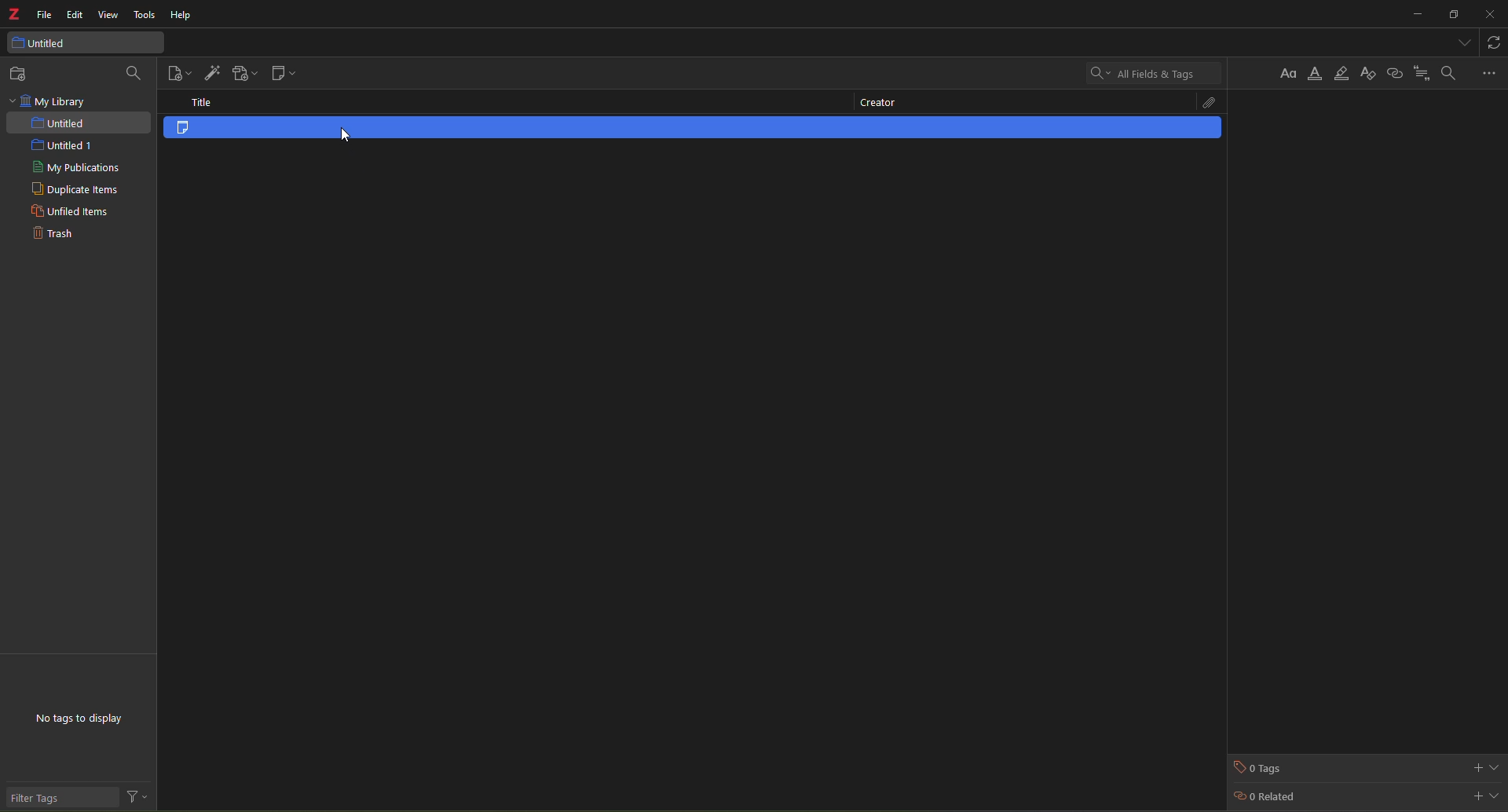  What do you see at coordinates (1290, 73) in the screenshot?
I see `` at bounding box center [1290, 73].